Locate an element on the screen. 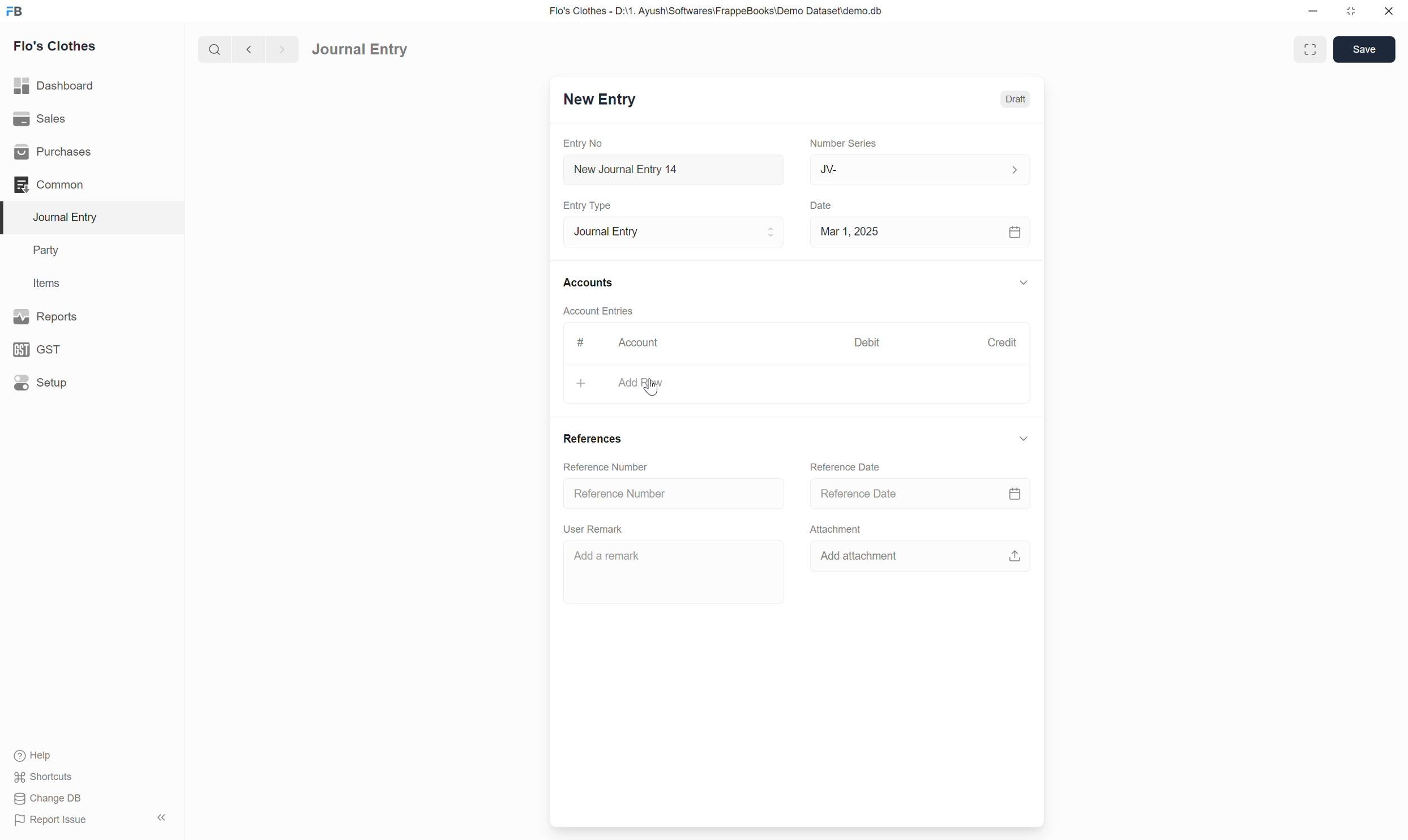 The image size is (1408, 840). GST is located at coordinates (39, 350).